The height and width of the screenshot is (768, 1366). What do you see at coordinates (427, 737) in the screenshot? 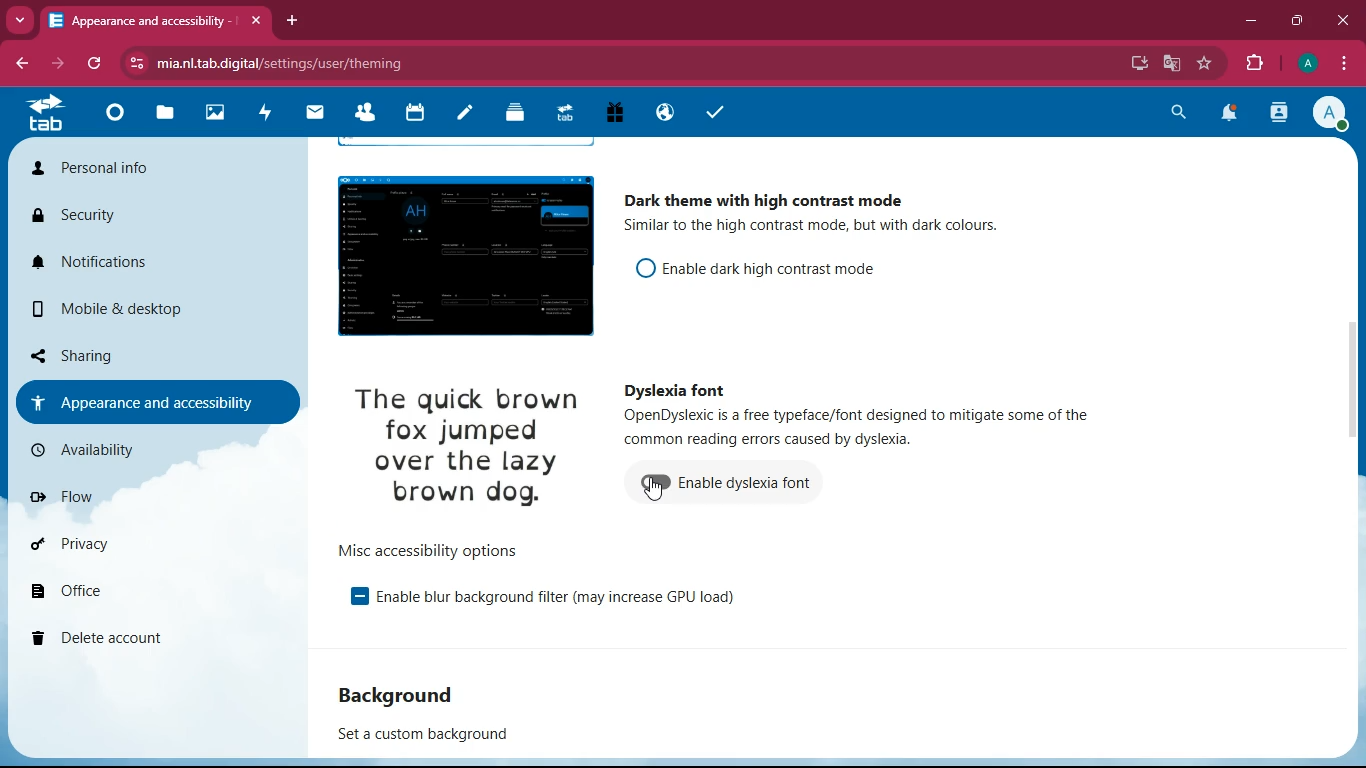
I see `set a custom background` at bounding box center [427, 737].